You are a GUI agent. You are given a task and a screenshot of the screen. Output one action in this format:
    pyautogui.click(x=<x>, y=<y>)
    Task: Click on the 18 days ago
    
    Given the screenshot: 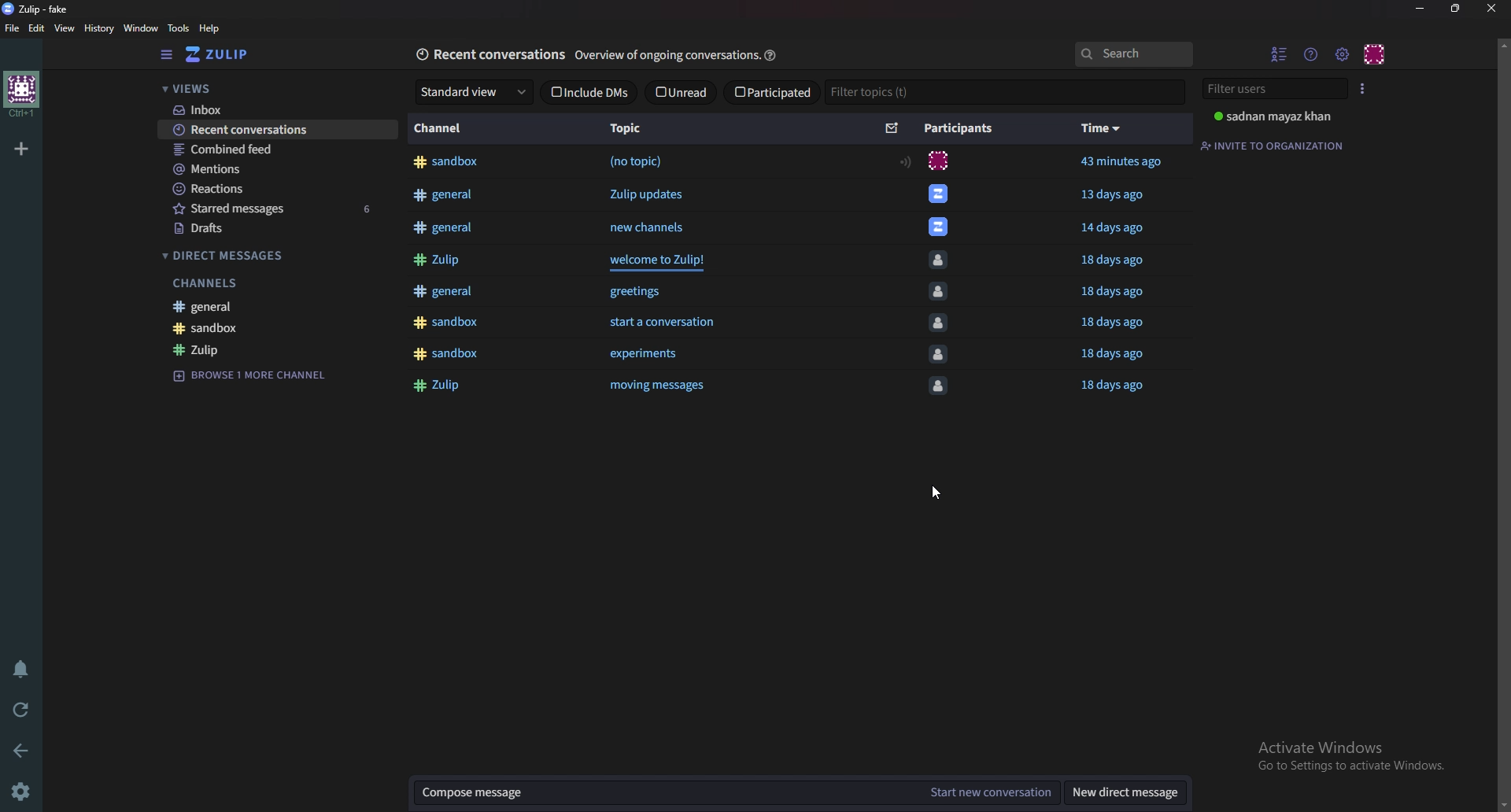 What is the action you would take?
    pyautogui.click(x=1118, y=324)
    